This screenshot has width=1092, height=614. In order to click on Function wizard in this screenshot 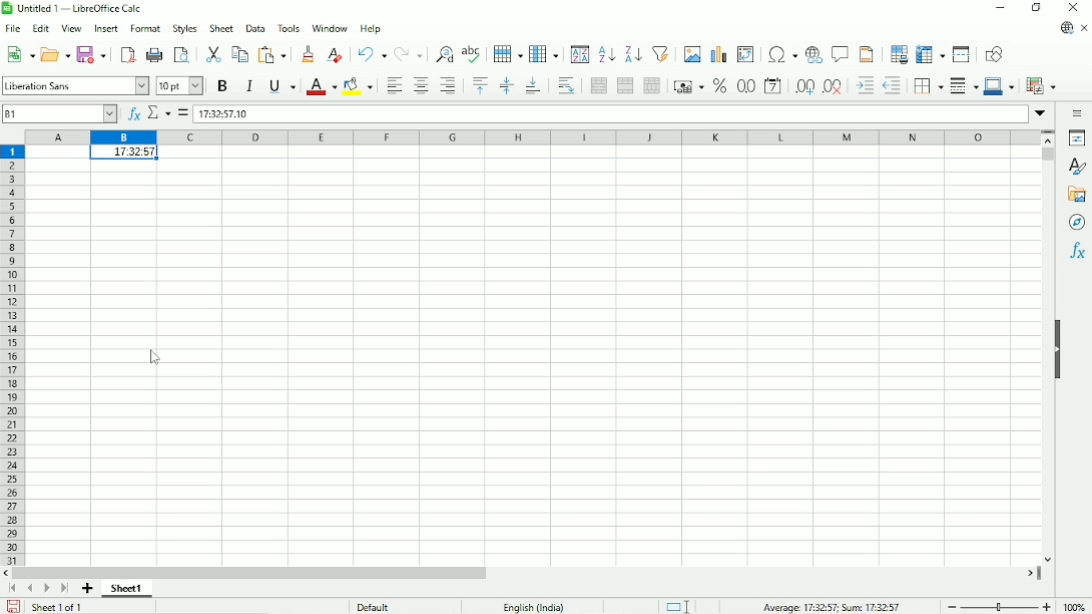, I will do `click(133, 113)`.